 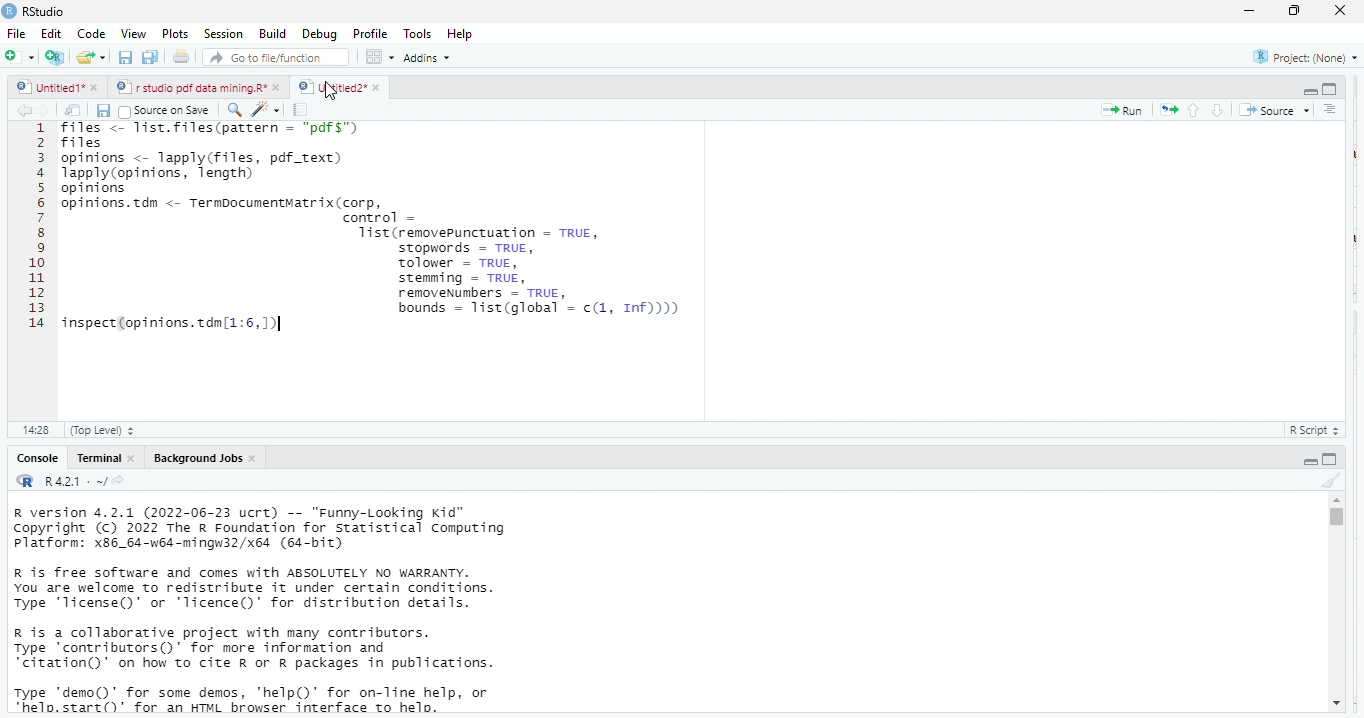 I want to click on debug, so click(x=317, y=33).